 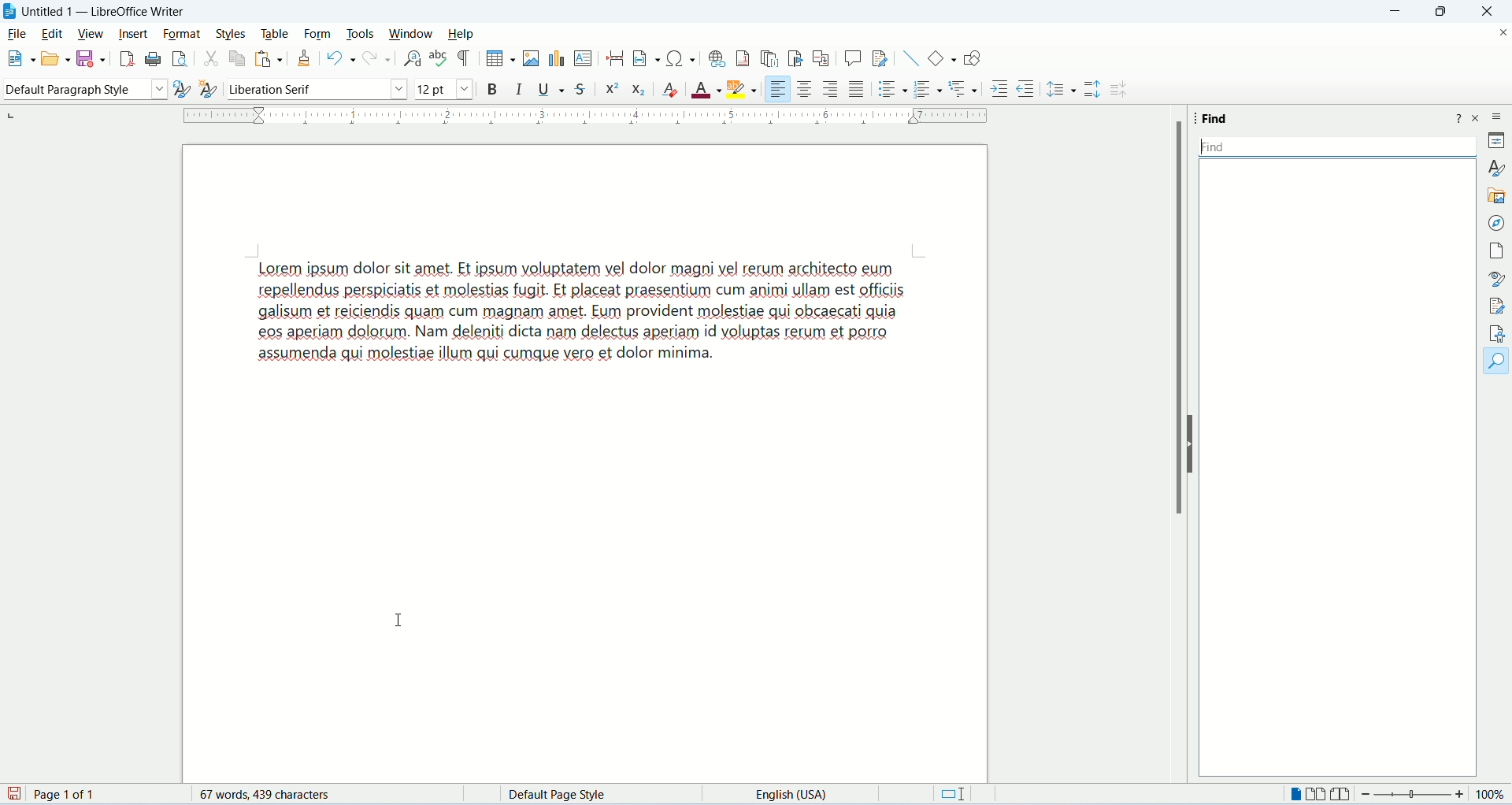 I want to click on mark formatting, so click(x=464, y=58).